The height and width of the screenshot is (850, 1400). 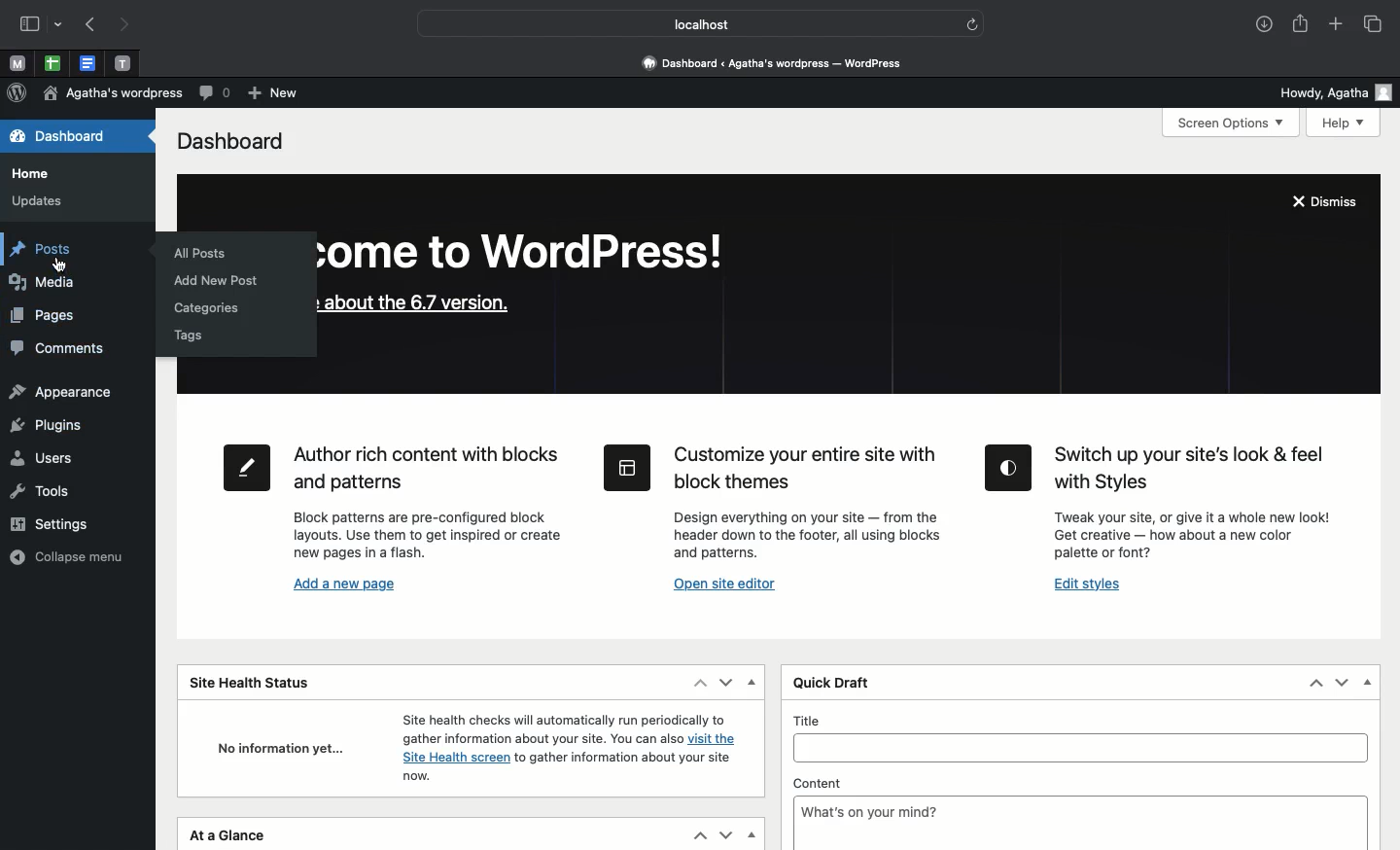 What do you see at coordinates (779, 62) in the screenshot?
I see `Dashboard < Agatha's wordpress — WordPress` at bounding box center [779, 62].